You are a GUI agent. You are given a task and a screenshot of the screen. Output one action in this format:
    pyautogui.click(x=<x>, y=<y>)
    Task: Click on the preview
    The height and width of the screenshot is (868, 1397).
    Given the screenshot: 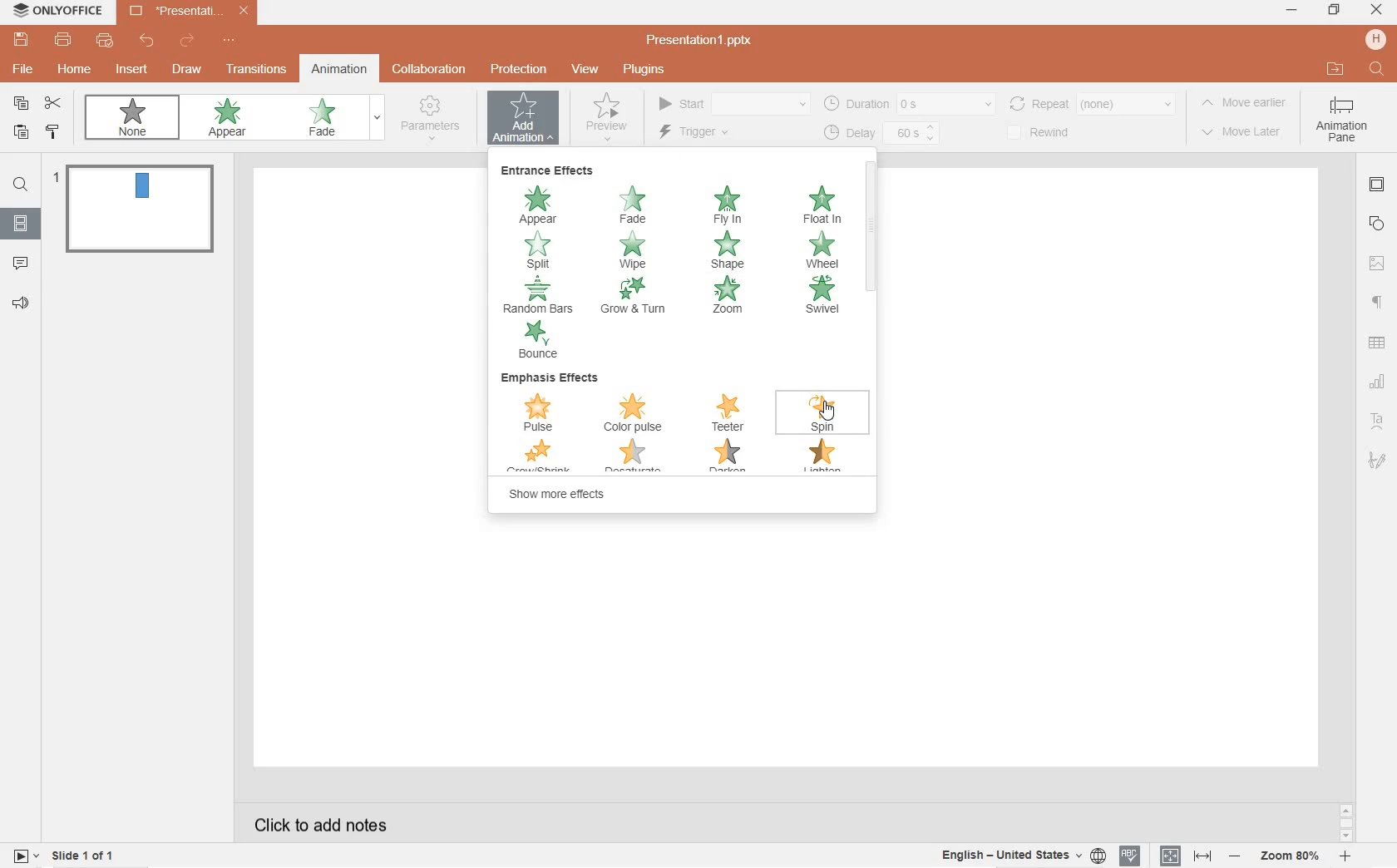 What is the action you would take?
    pyautogui.click(x=606, y=116)
    